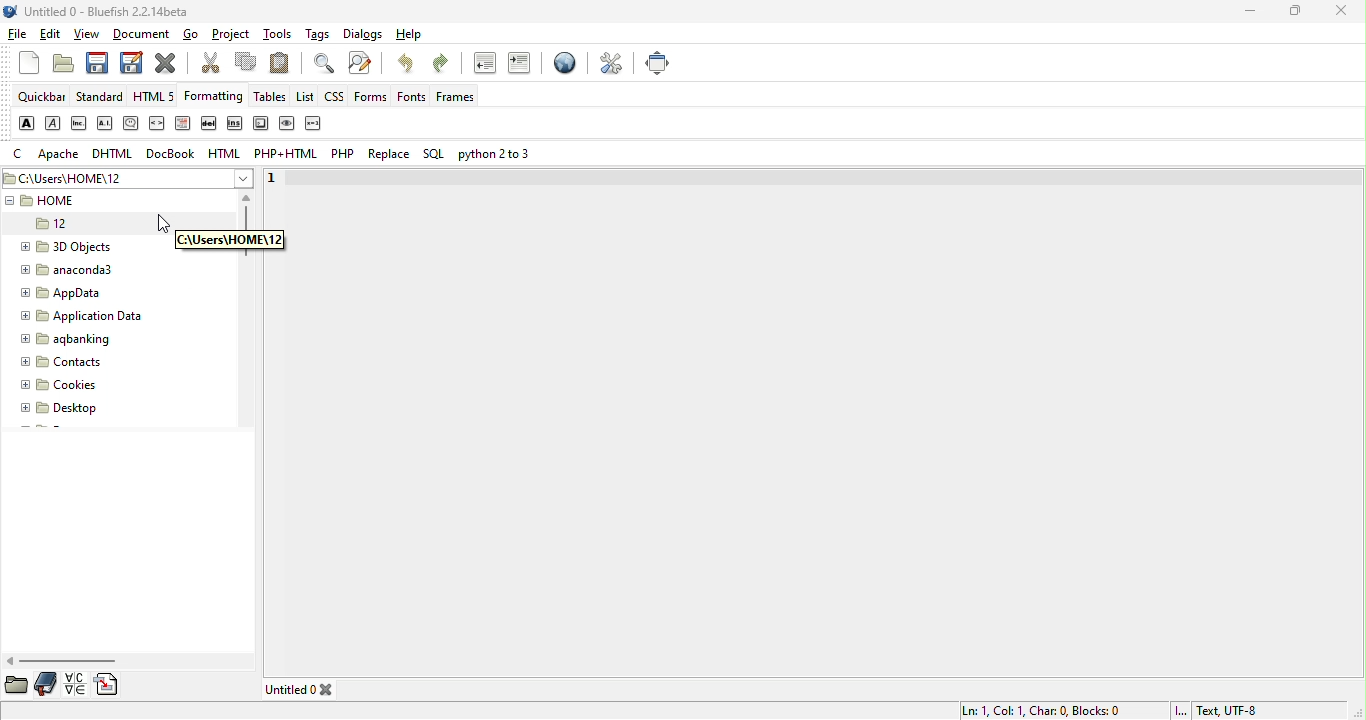  Describe the element at coordinates (1042, 708) in the screenshot. I see `ln 1, col 1,char 0, blocks 0` at that location.